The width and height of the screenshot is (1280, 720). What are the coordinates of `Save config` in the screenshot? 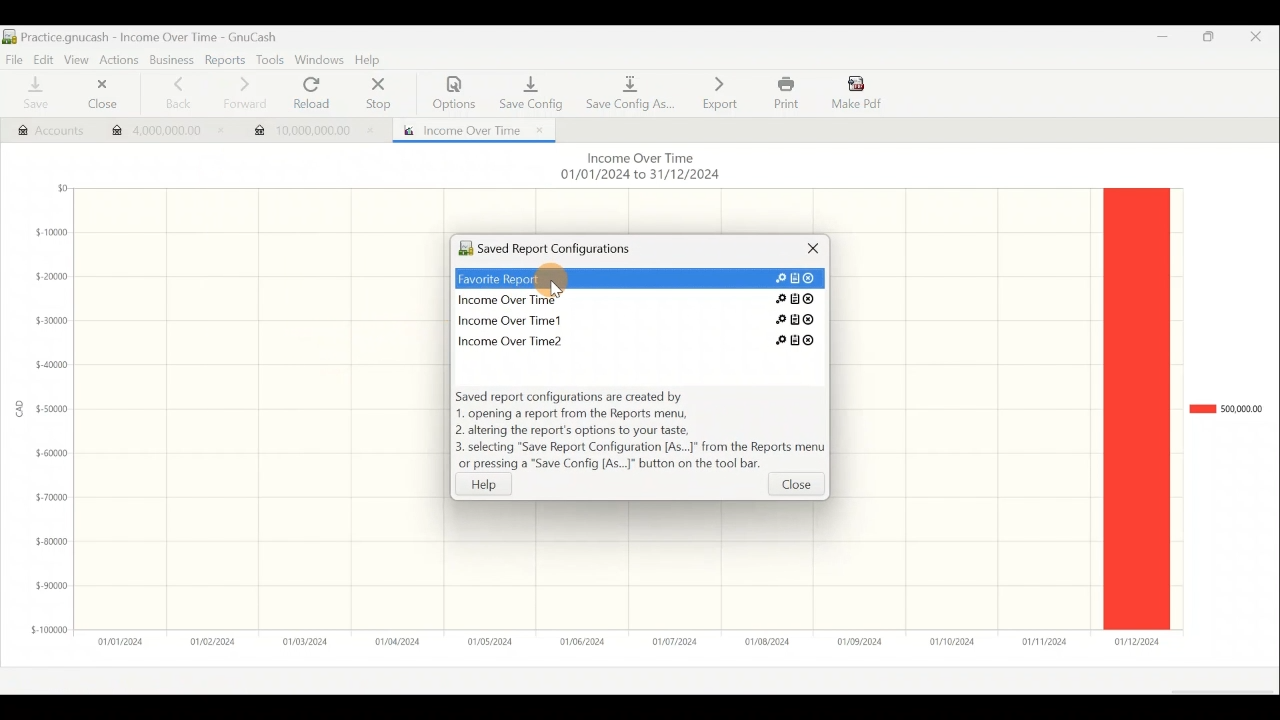 It's located at (528, 88).